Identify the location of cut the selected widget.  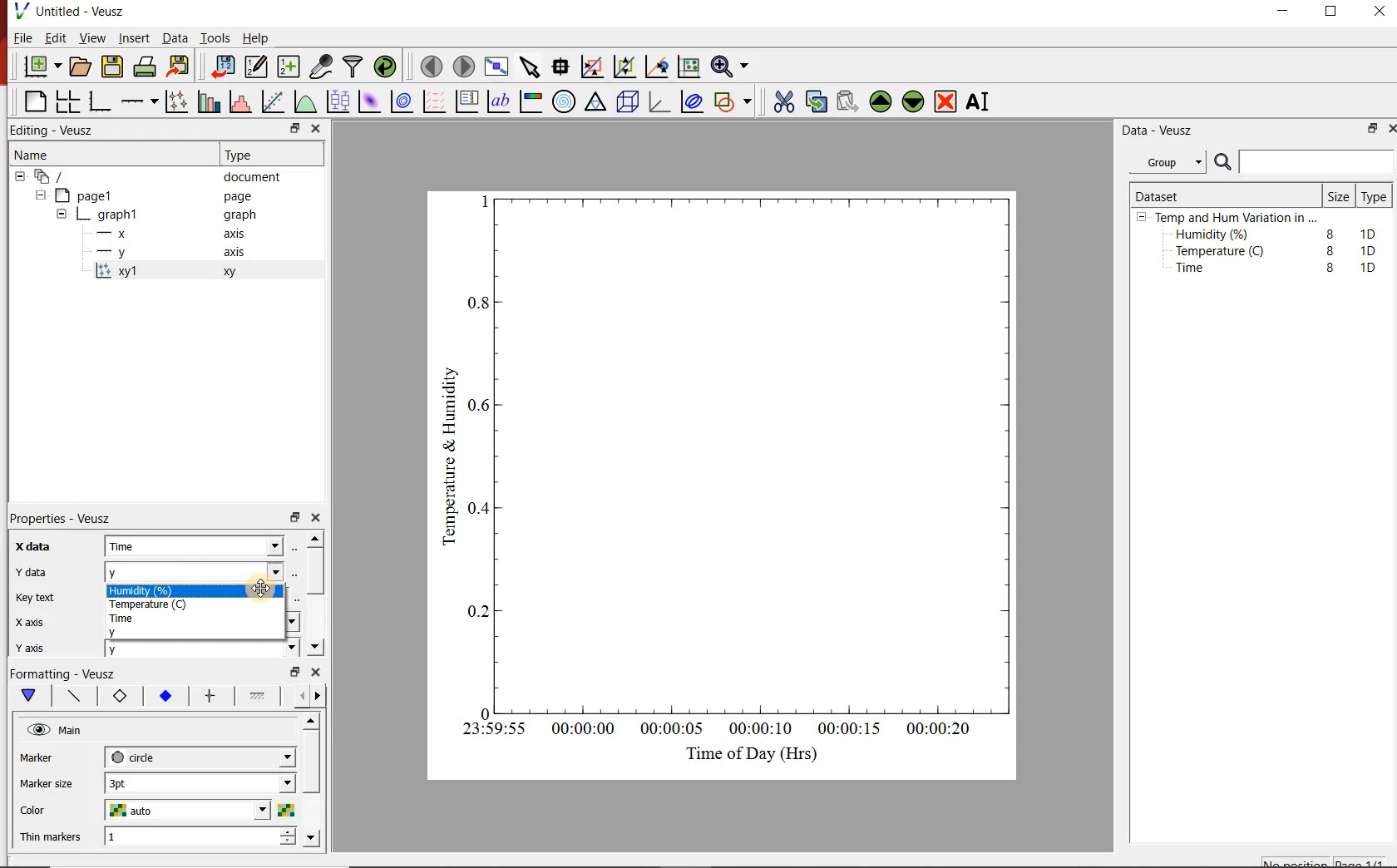
(782, 100).